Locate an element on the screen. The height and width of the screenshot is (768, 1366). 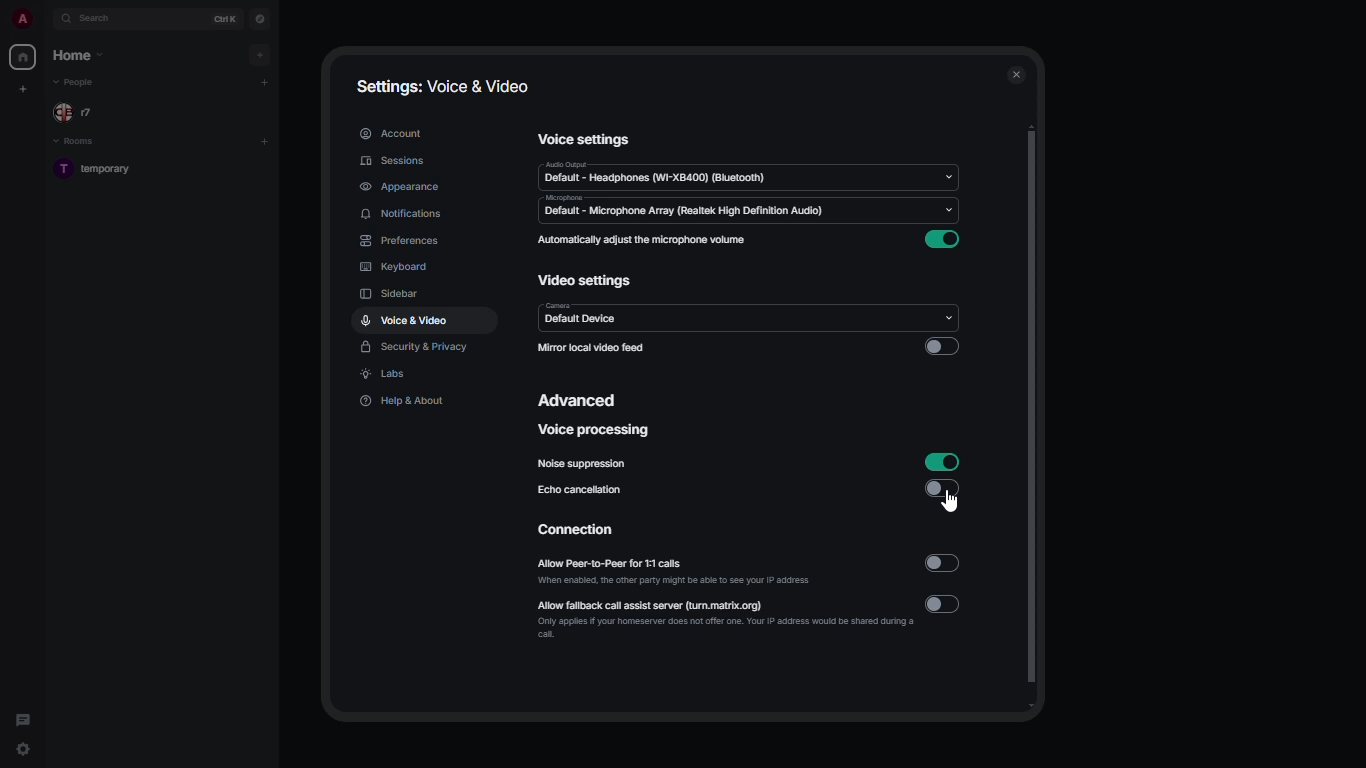
allow fallback call assist server is located at coordinates (728, 618).